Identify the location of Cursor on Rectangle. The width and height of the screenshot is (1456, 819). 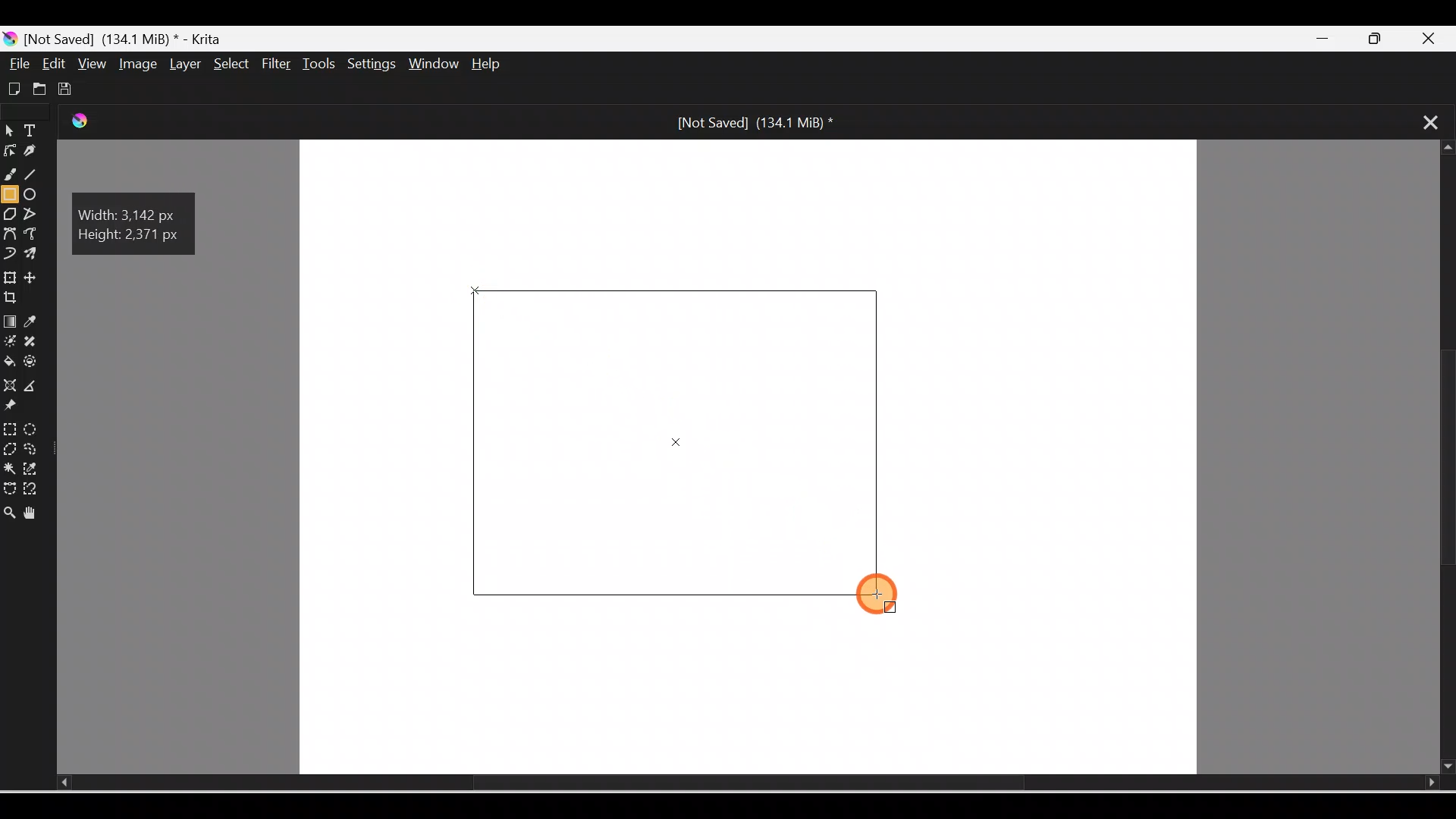
(880, 596).